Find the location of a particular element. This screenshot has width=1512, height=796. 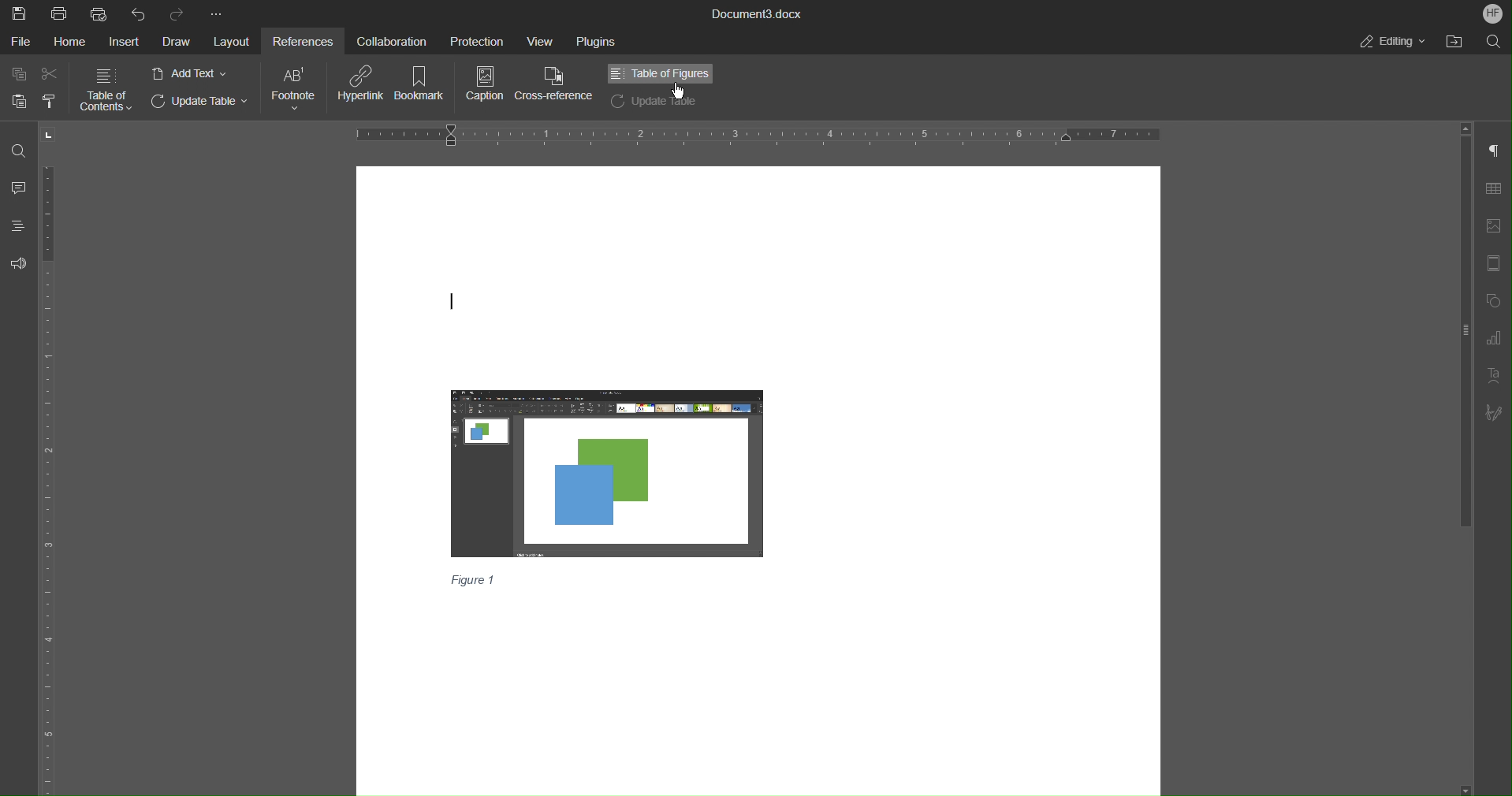

Plugins is located at coordinates (594, 41).